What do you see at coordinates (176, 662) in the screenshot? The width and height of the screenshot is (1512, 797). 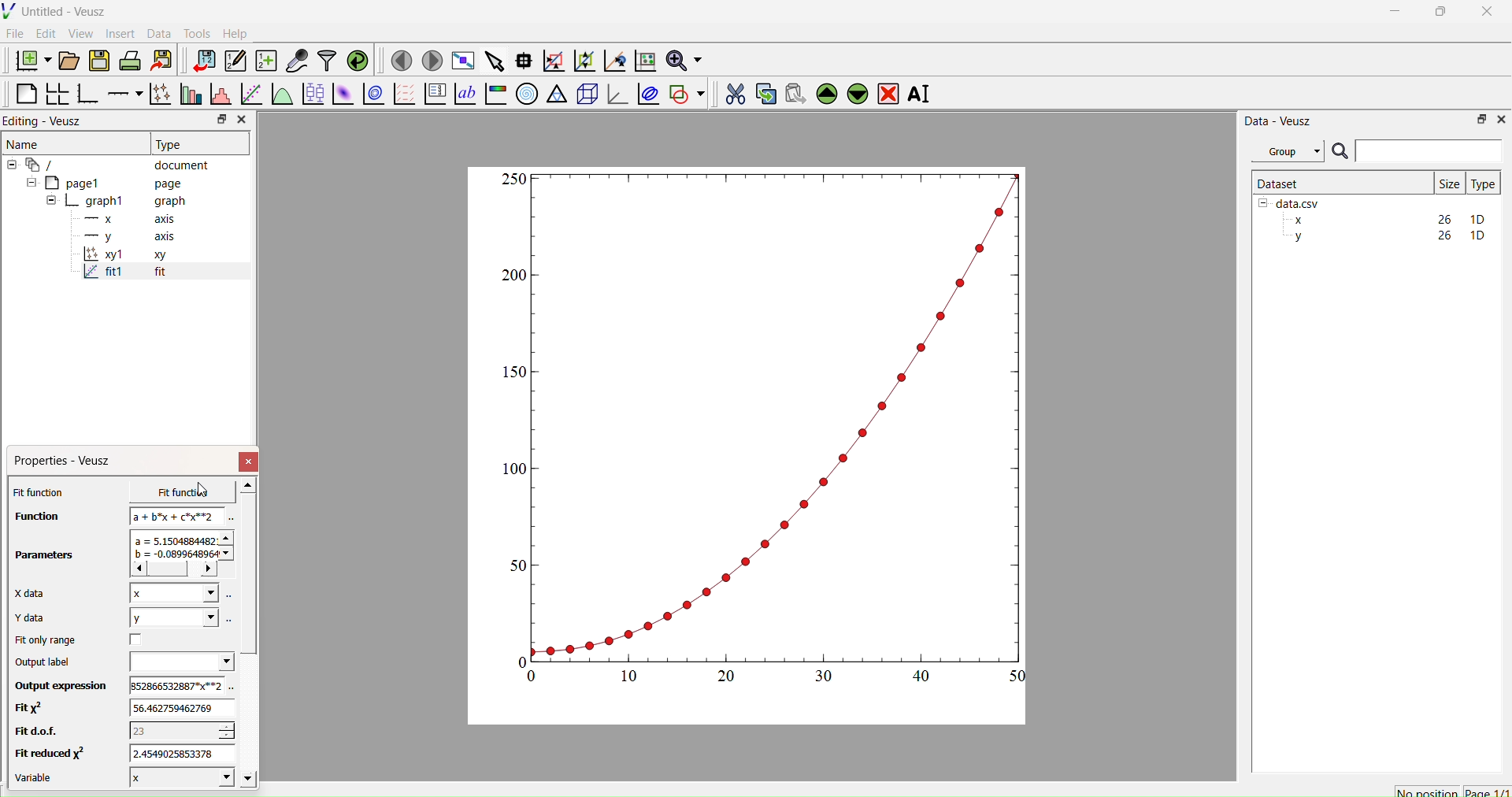 I see `Dropdown` at bounding box center [176, 662].